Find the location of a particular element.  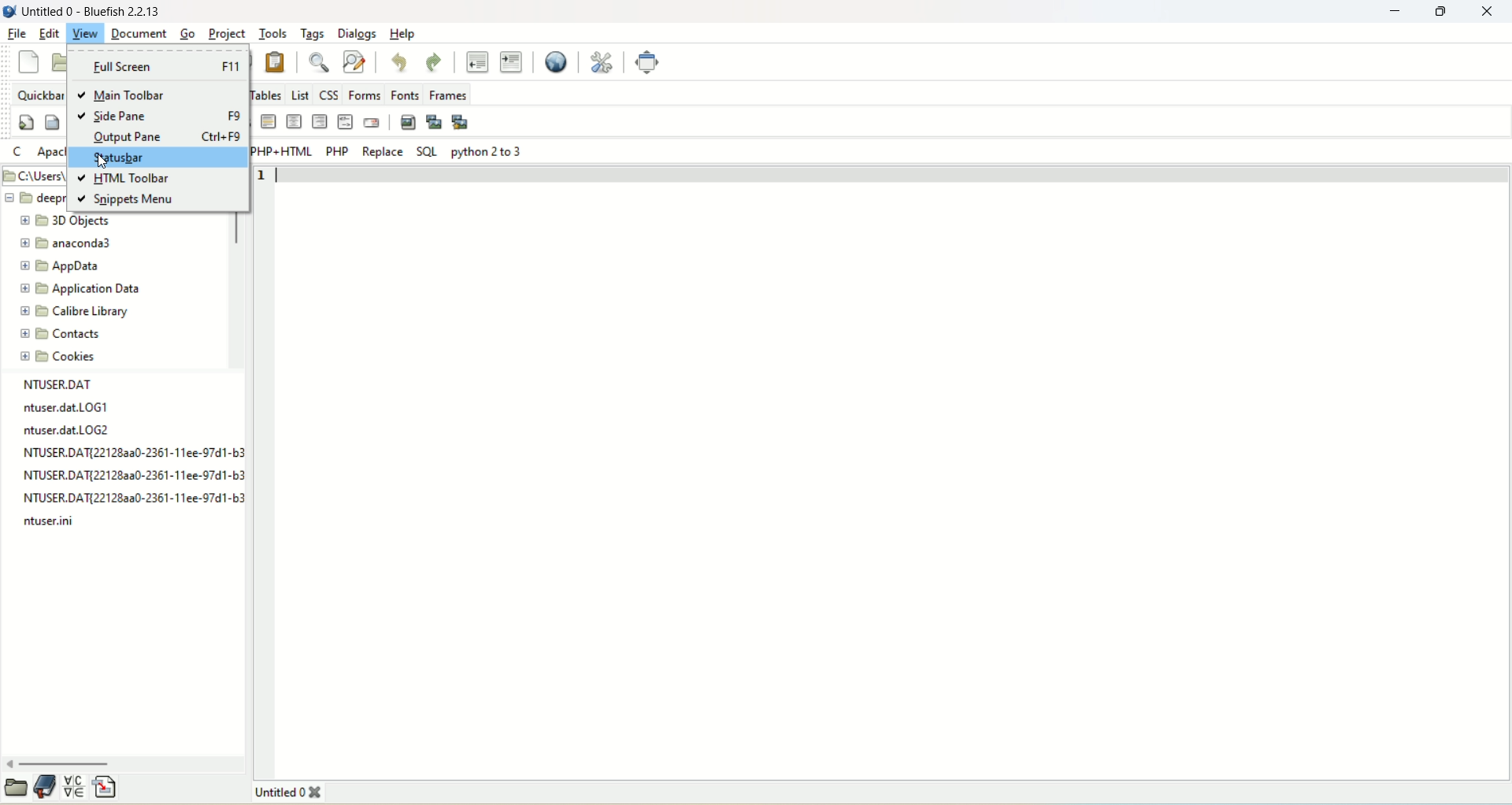

horizontal scroll bar is located at coordinates (124, 763).